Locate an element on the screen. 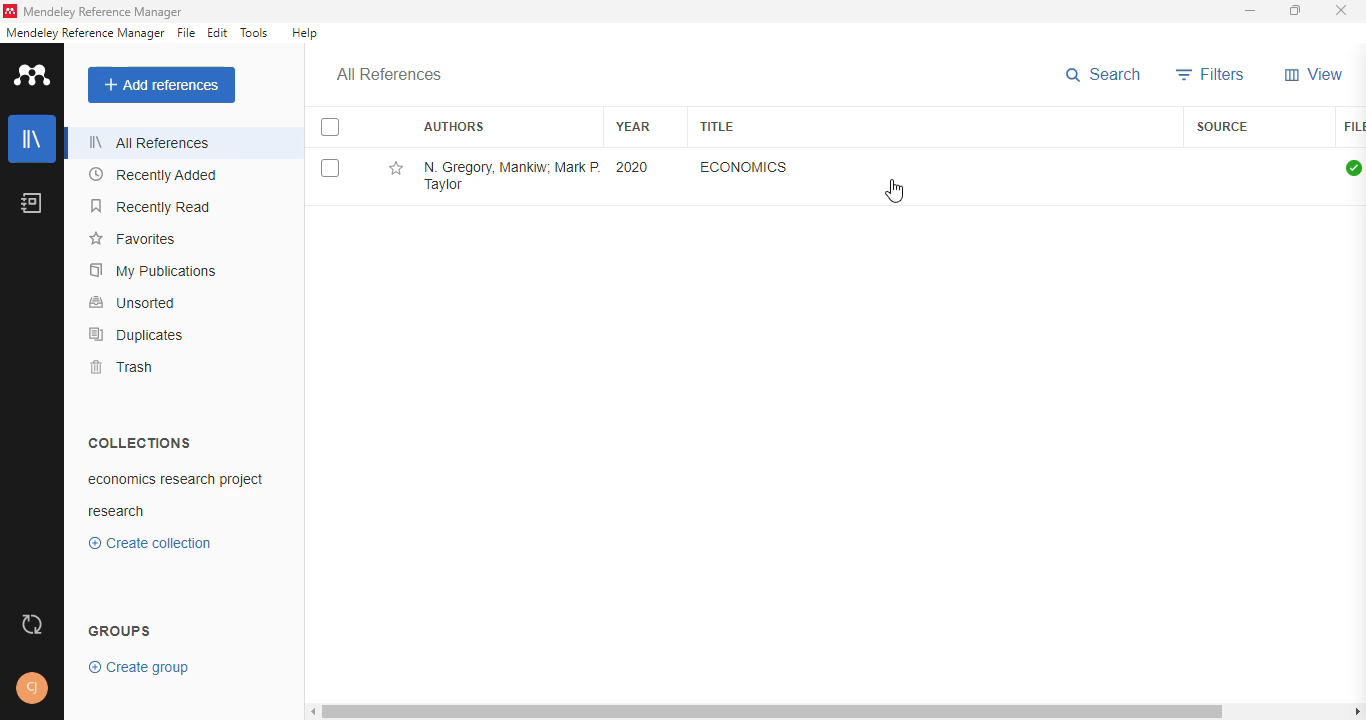 This screenshot has height=720, width=1366. add references is located at coordinates (161, 85).